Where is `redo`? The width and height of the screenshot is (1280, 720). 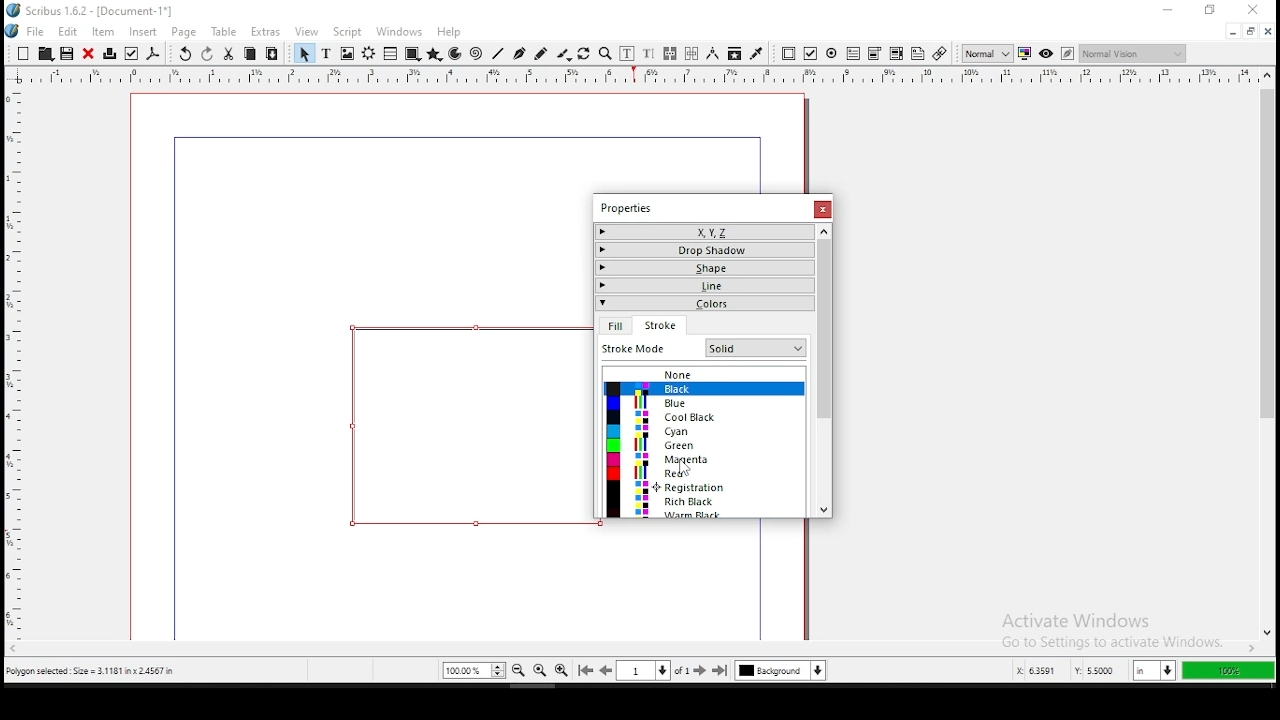
redo is located at coordinates (207, 54).